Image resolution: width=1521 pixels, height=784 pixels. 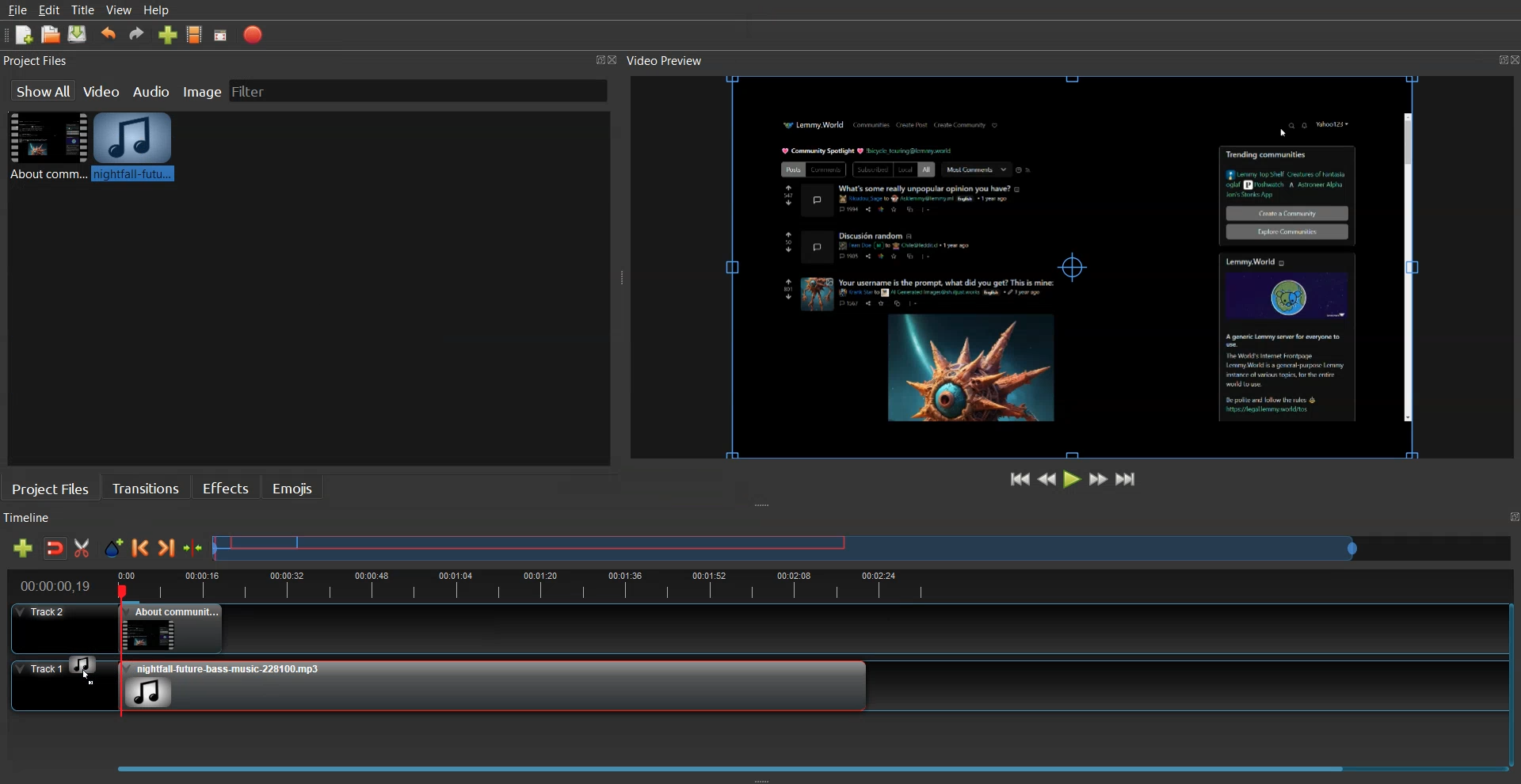 What do you see at coordinates (1126, 478) in the screenshot?
I see `Jump to End` at bounding box center [1126, 478].